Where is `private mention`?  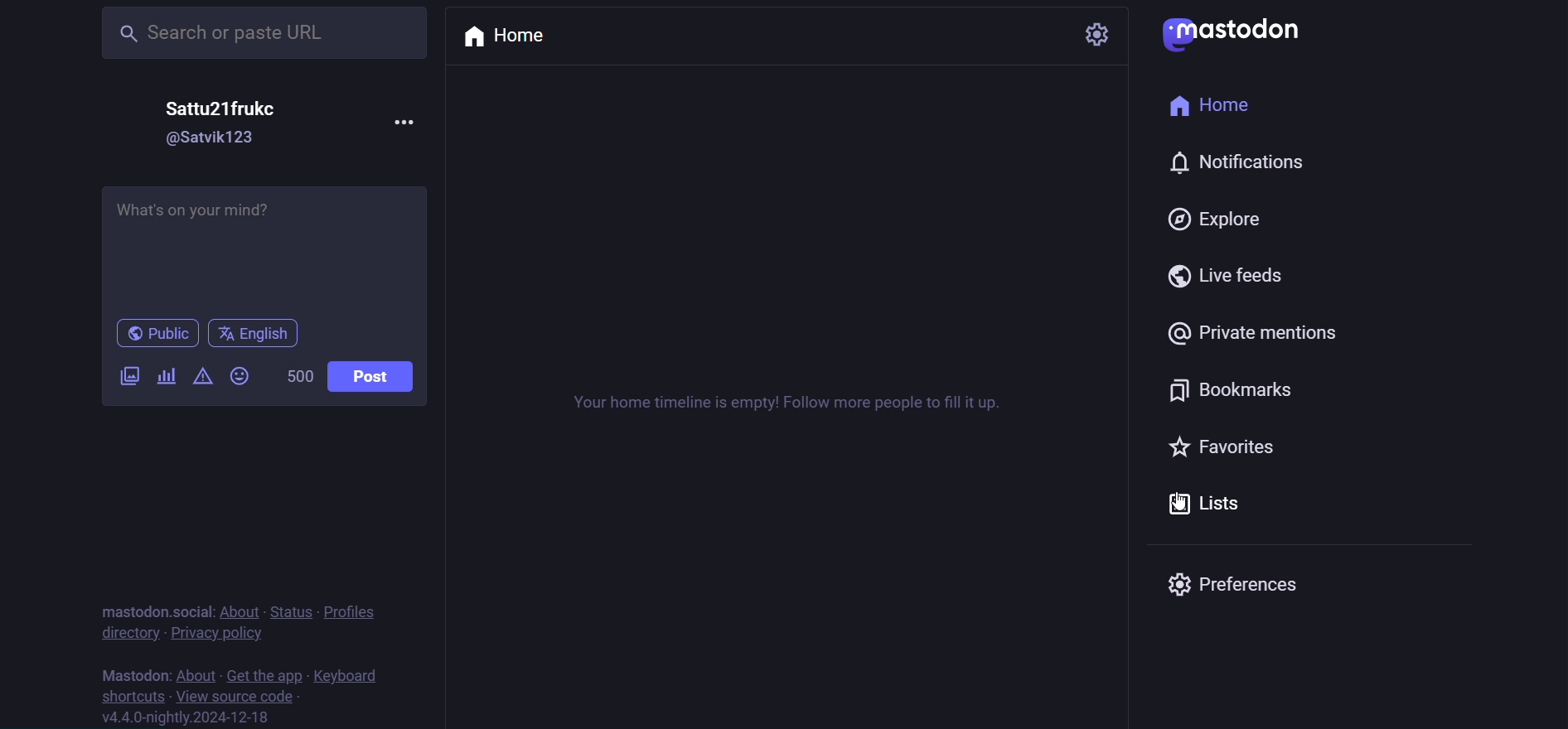
private mention is located at coordinates (1252, 334).